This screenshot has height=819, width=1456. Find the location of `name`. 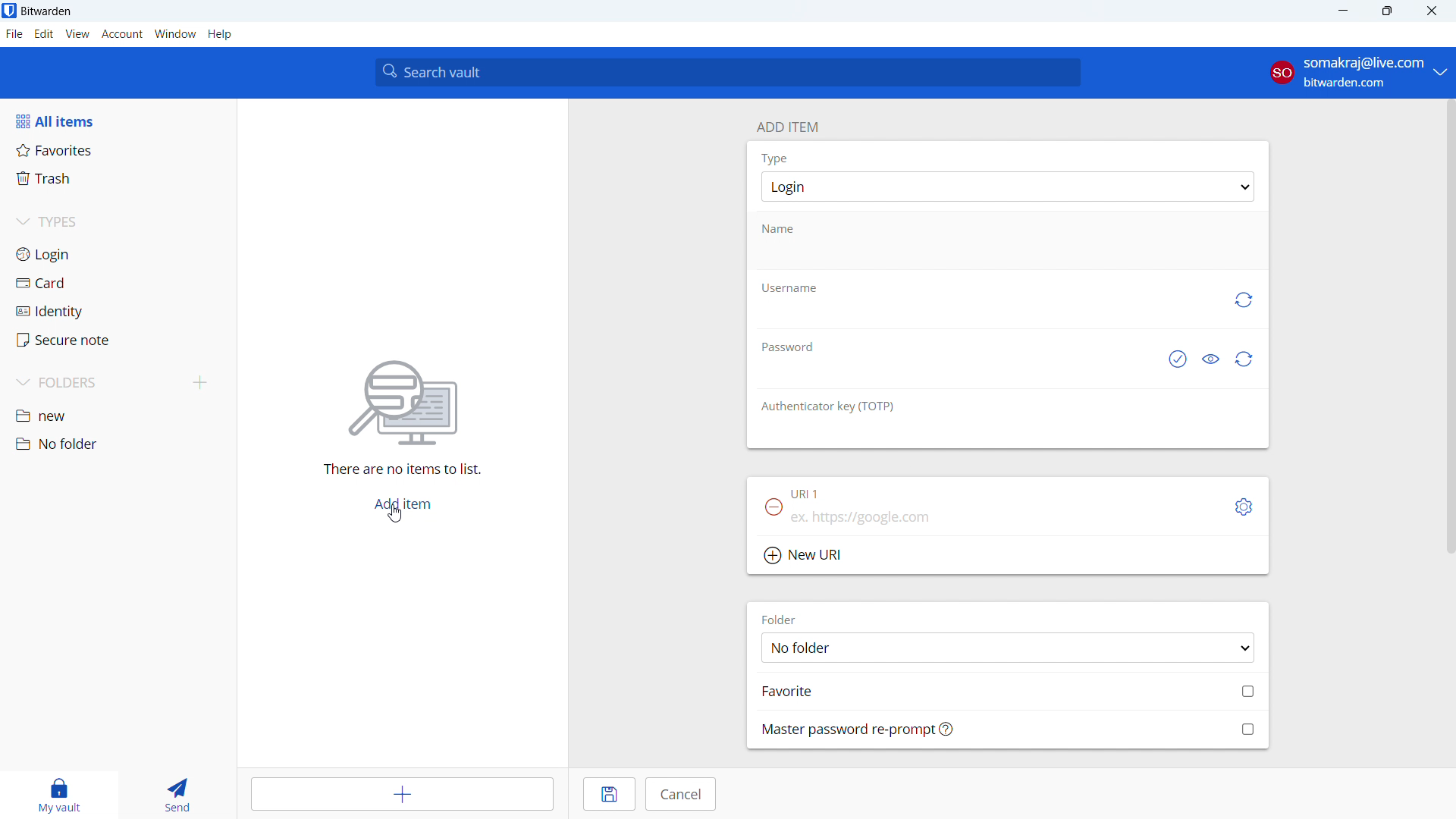

name is located at coordinates (788, 228).